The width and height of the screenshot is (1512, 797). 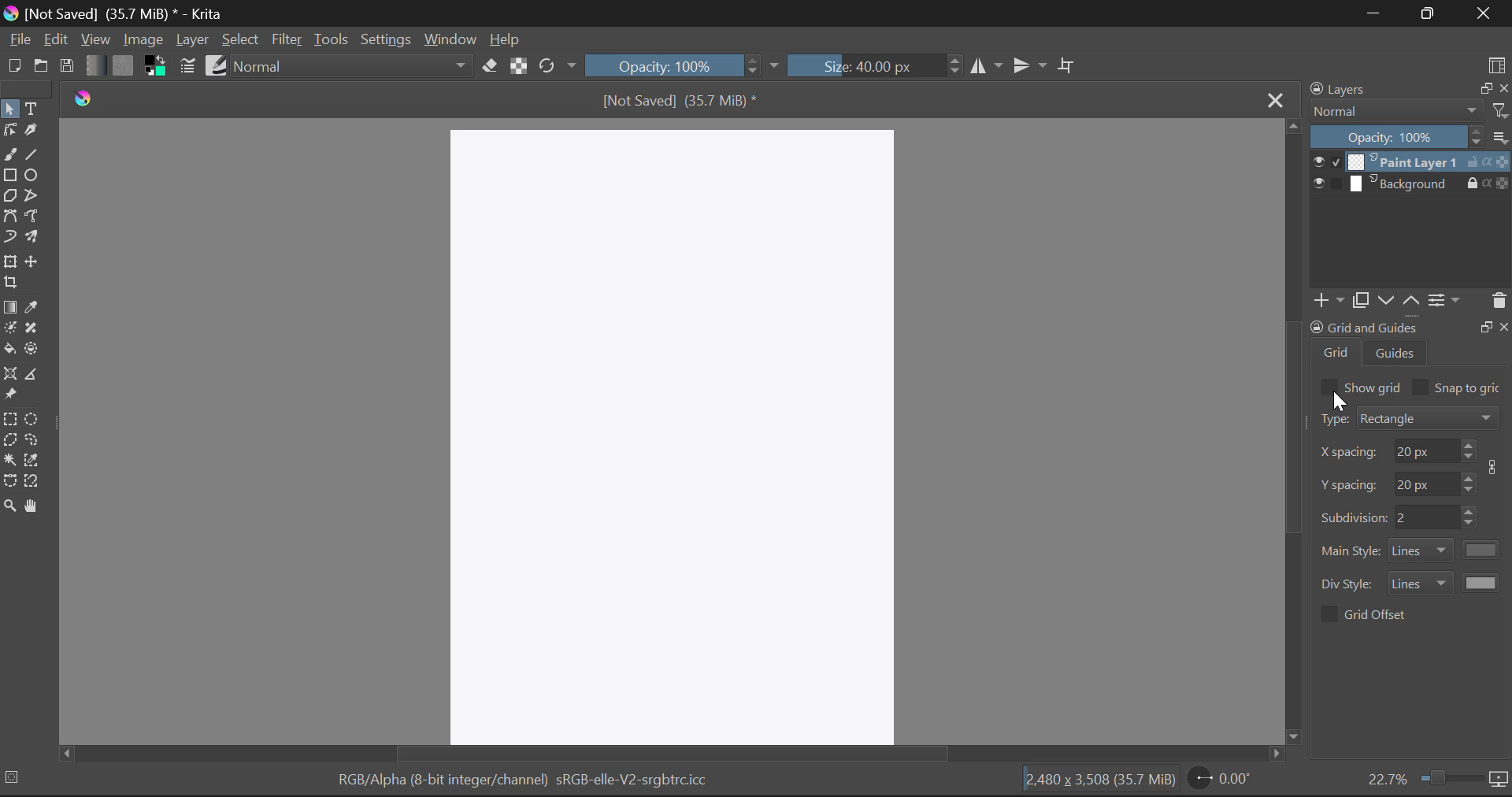 I want to click on Increase or decrease, so click(x=1469, y=482).